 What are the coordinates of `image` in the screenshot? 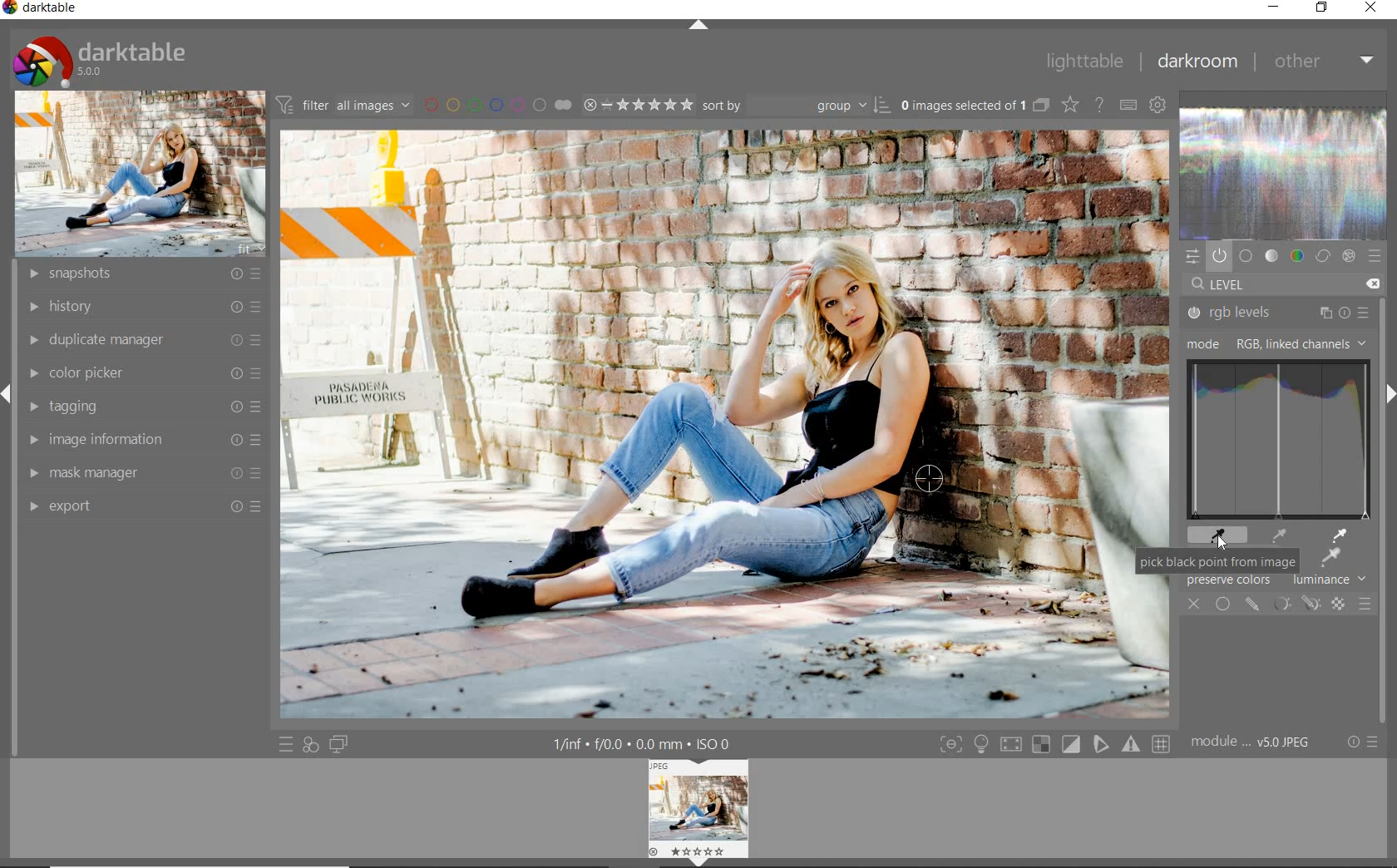 It's located at (141, 174).